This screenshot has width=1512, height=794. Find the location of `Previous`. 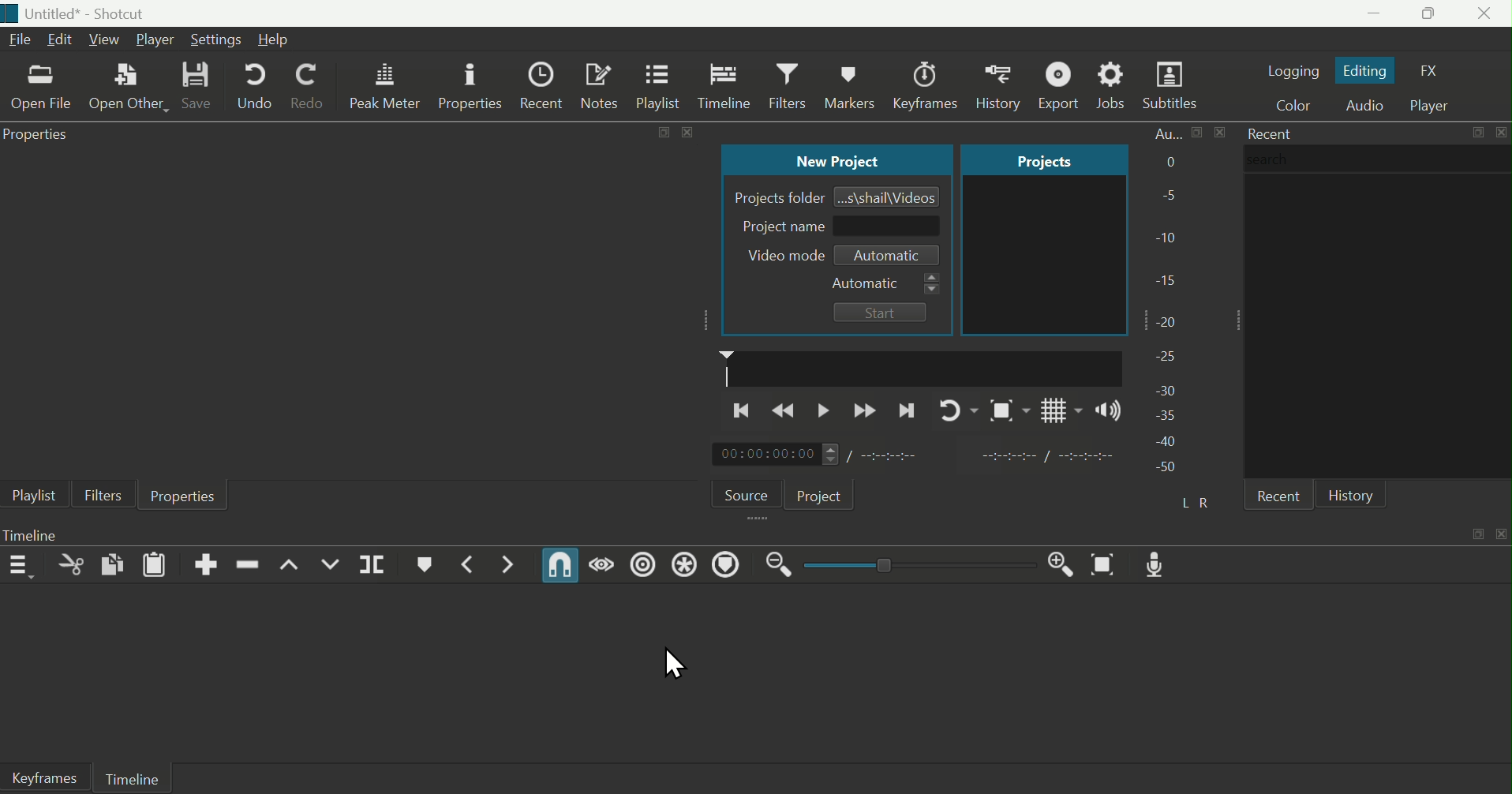

Previous is located at coordinates (741, 412).